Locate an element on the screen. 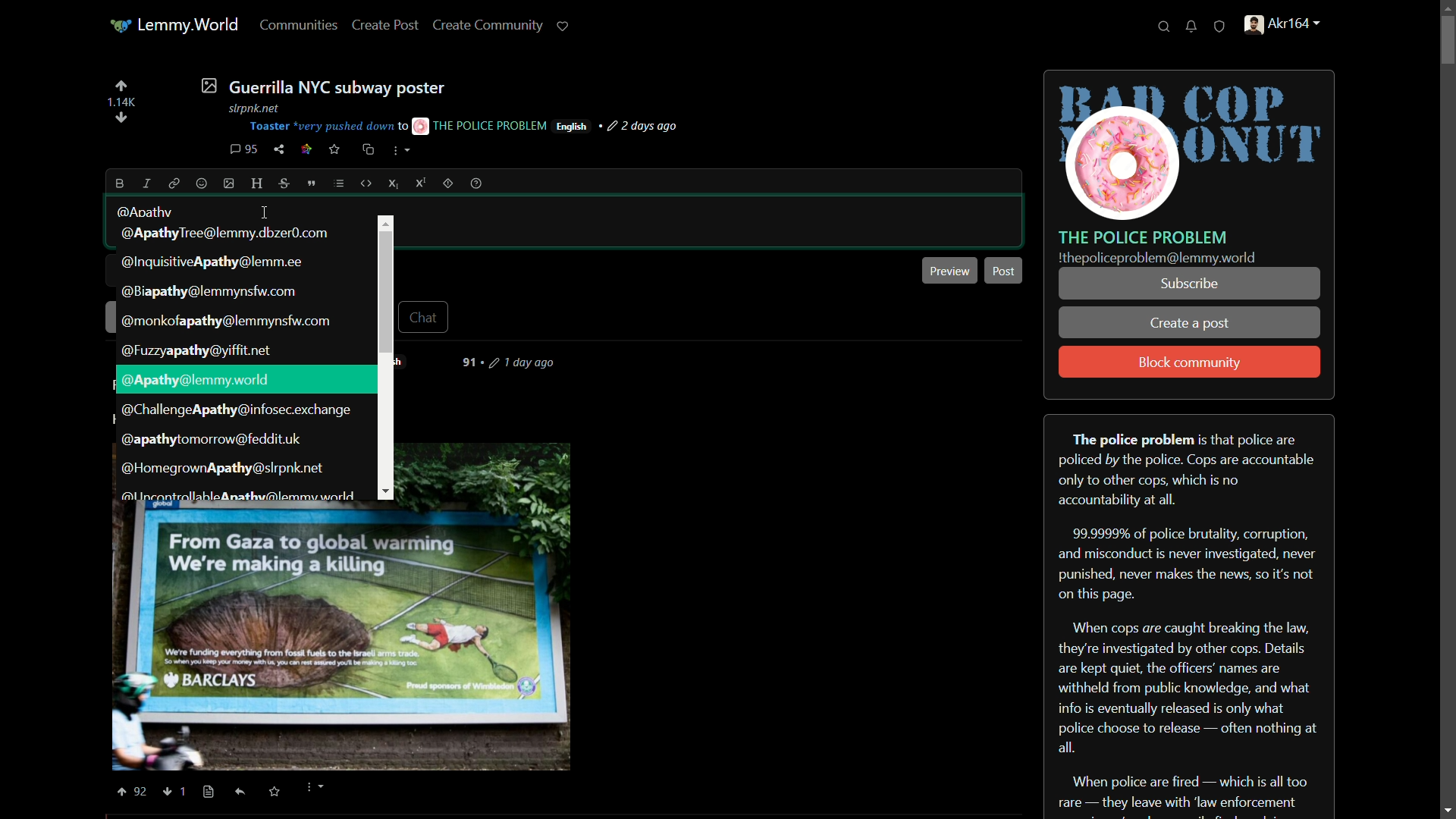 This screenshot has width=1456, height=819. diwnvote is located at coordinates (121, 119).